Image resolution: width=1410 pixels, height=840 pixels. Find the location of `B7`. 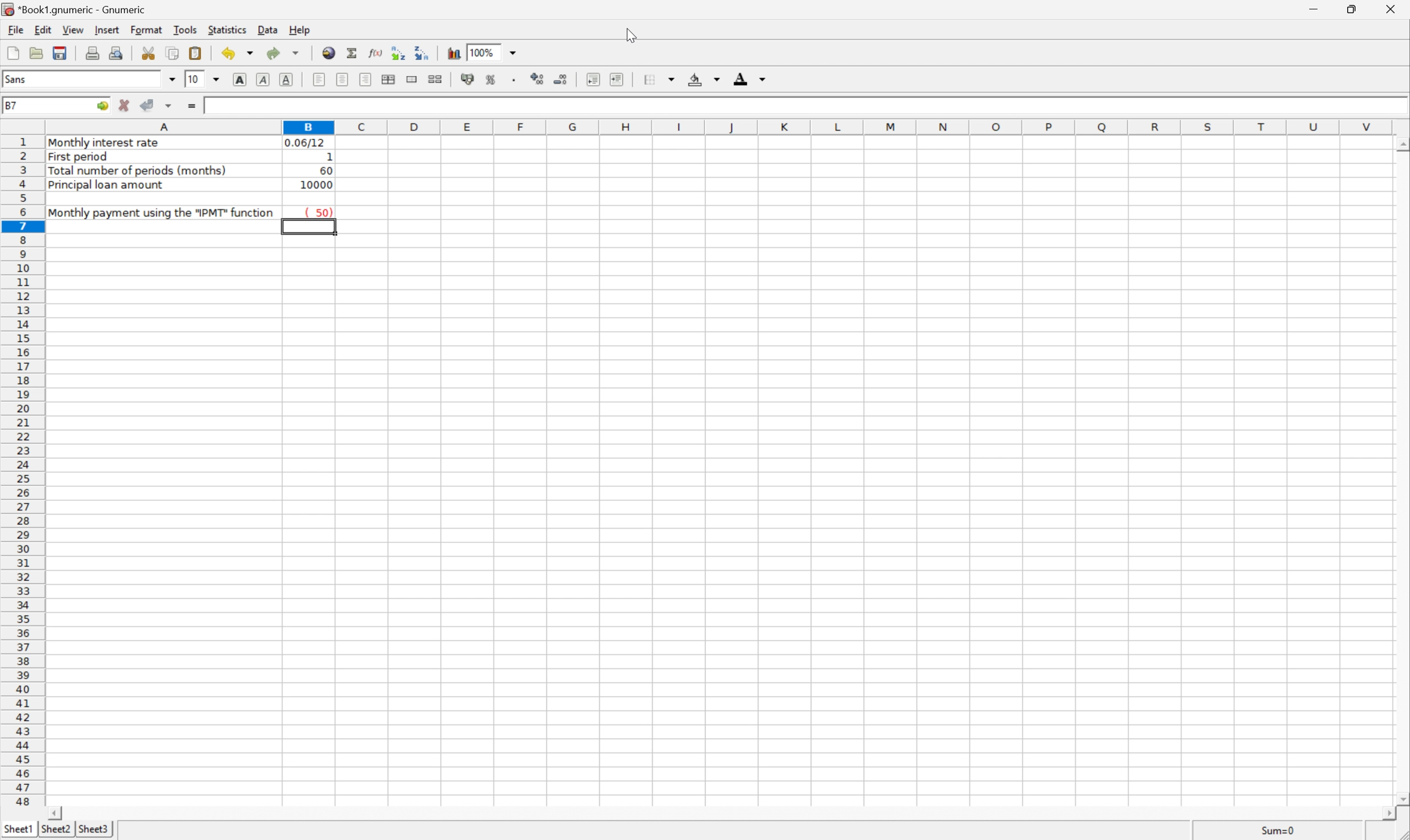

B7 is located at coordinates (14, 106).